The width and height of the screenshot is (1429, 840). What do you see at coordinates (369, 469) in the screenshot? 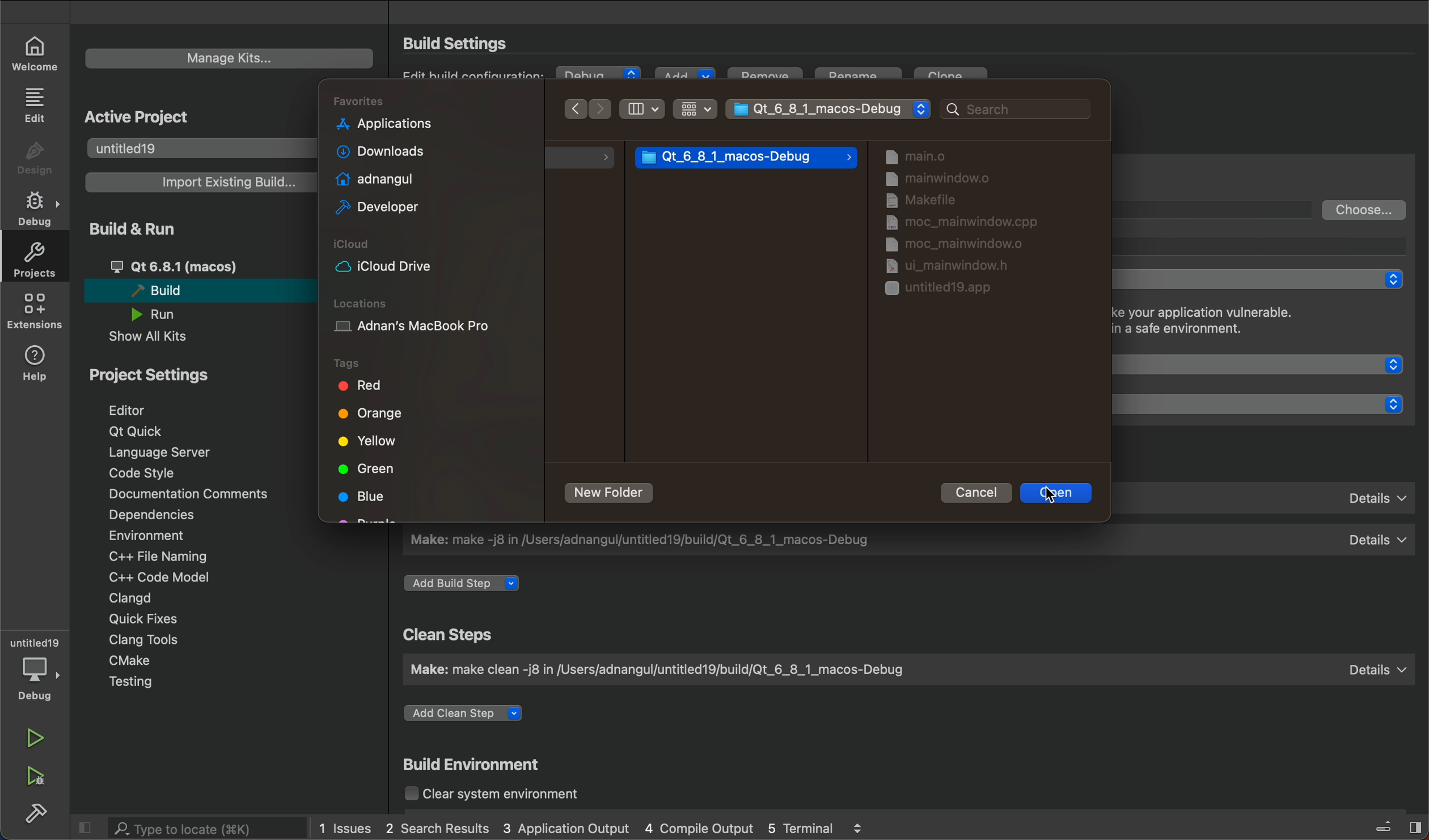
I see `green` at bounding box center [369, 469].